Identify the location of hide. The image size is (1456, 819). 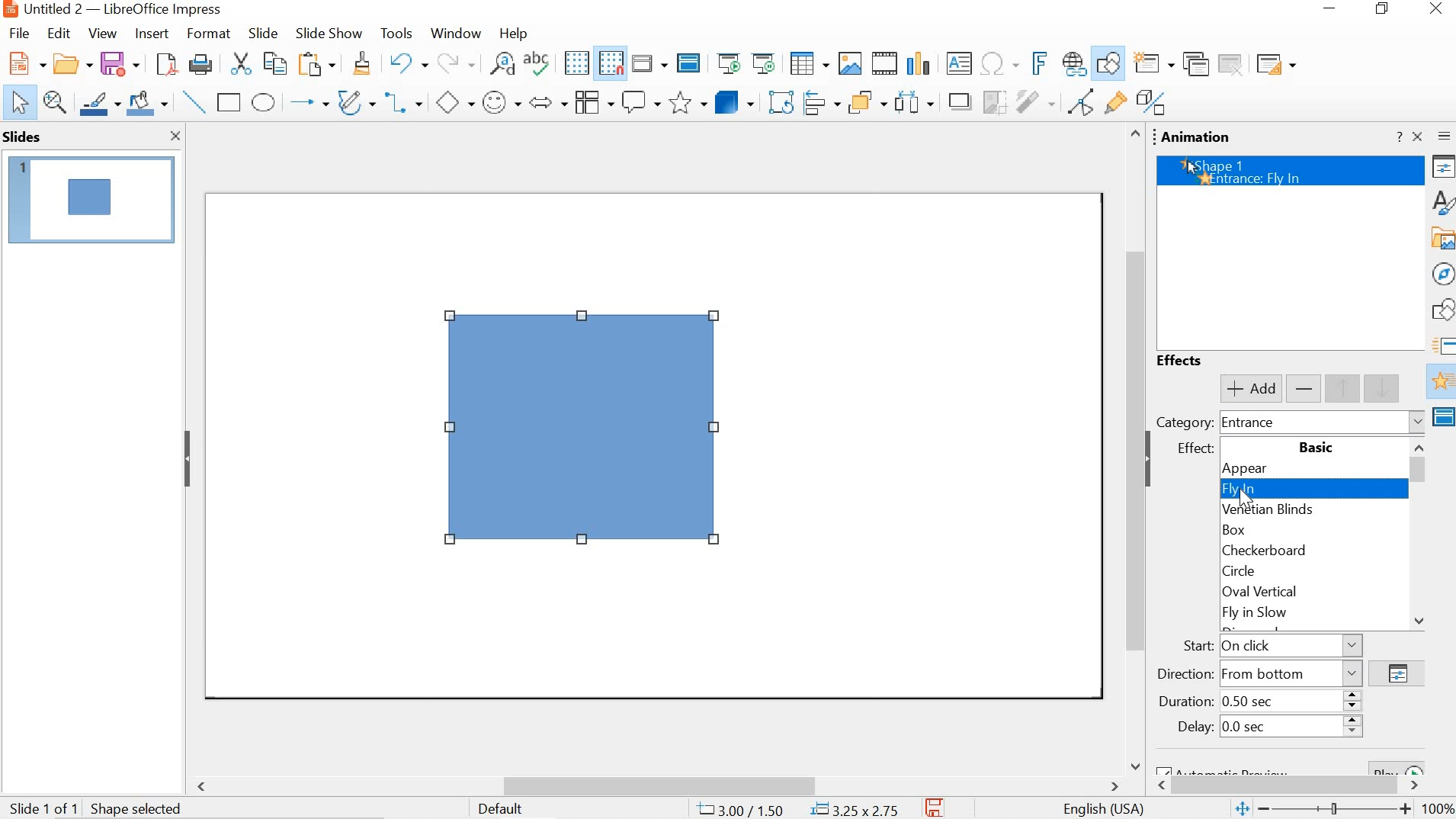
(1154, 461).